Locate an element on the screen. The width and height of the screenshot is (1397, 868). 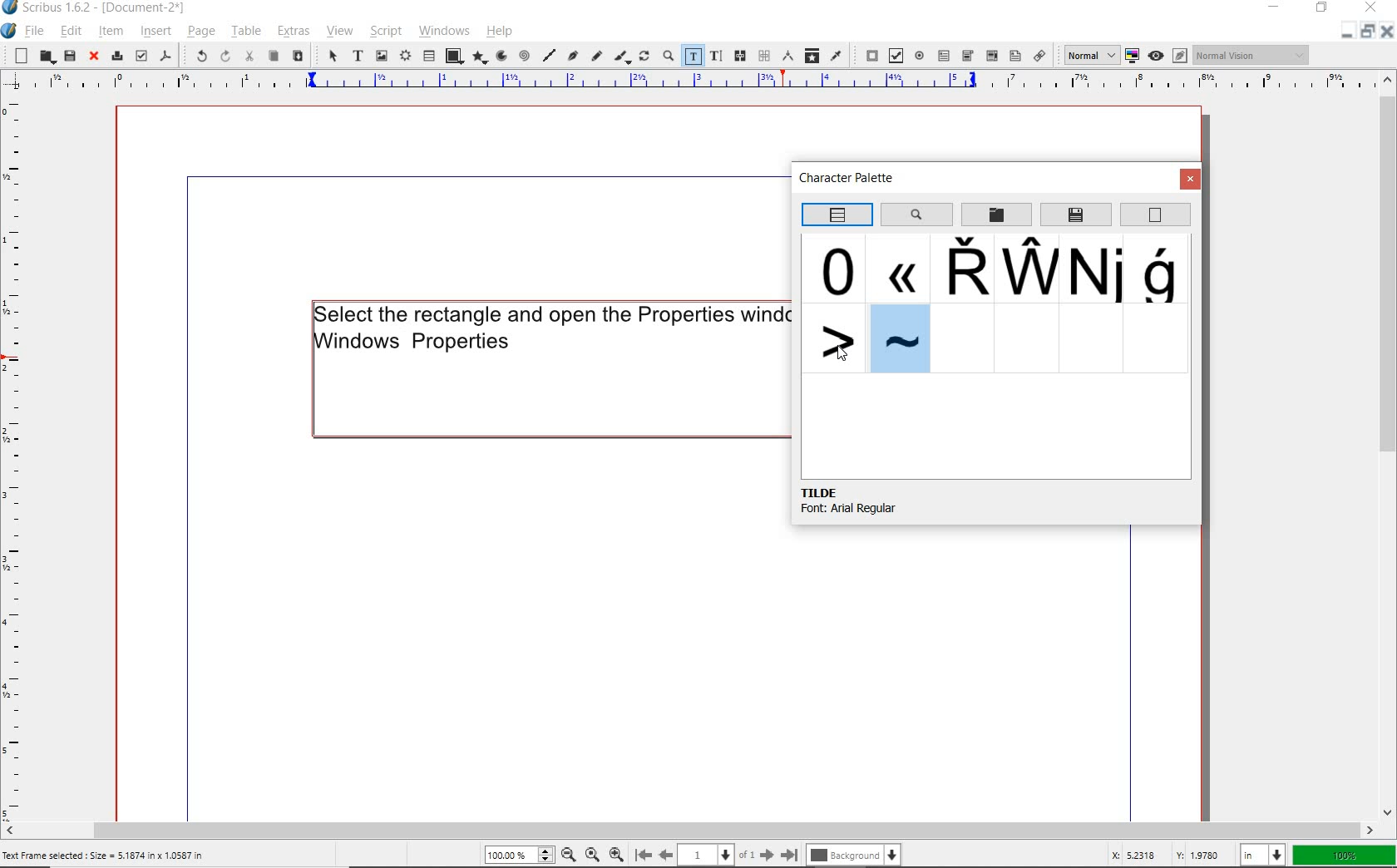
100% is located at coordinates (1345, 856).